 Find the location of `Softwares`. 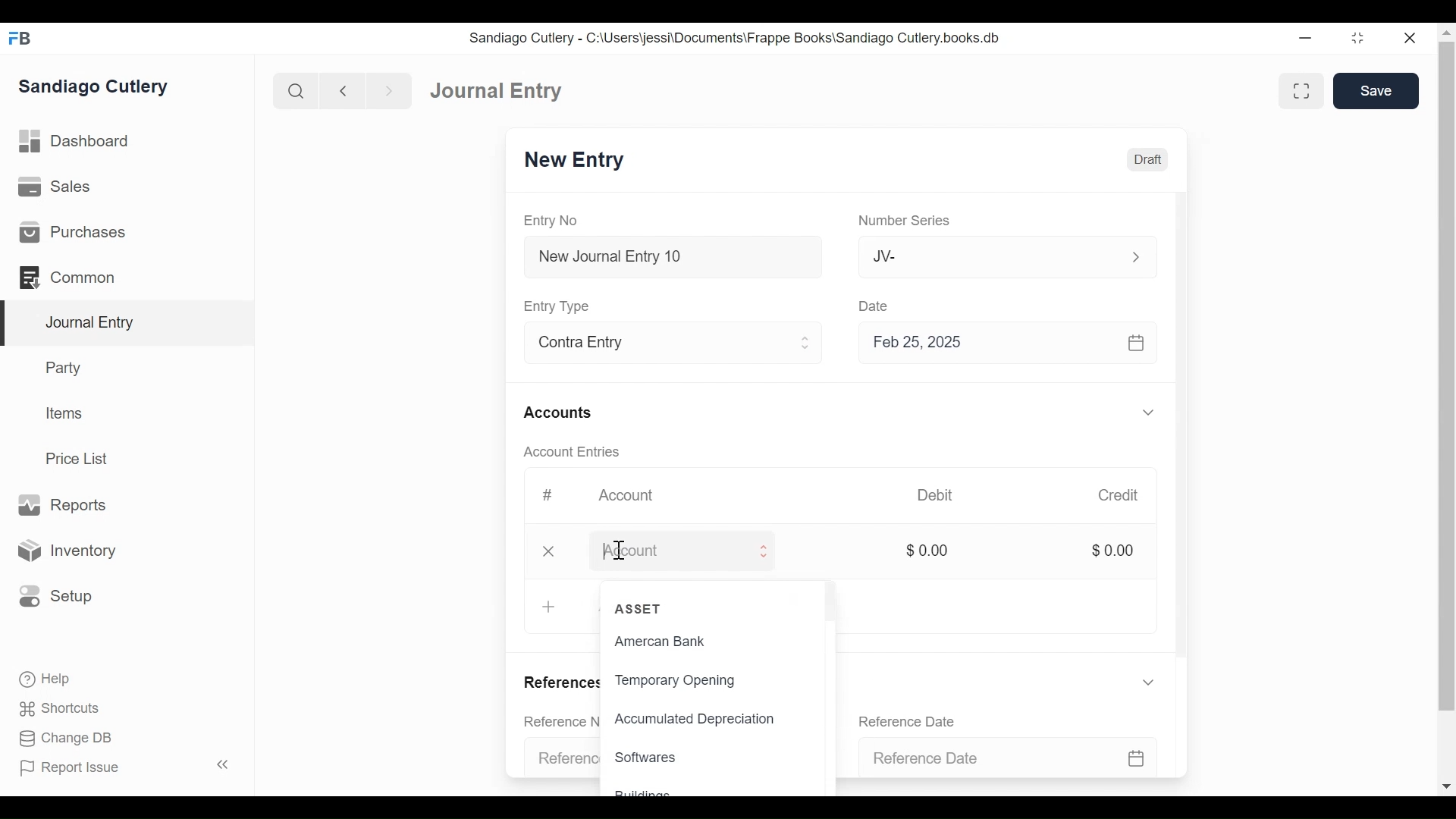

Softwares is located at coordinates (648, 758).